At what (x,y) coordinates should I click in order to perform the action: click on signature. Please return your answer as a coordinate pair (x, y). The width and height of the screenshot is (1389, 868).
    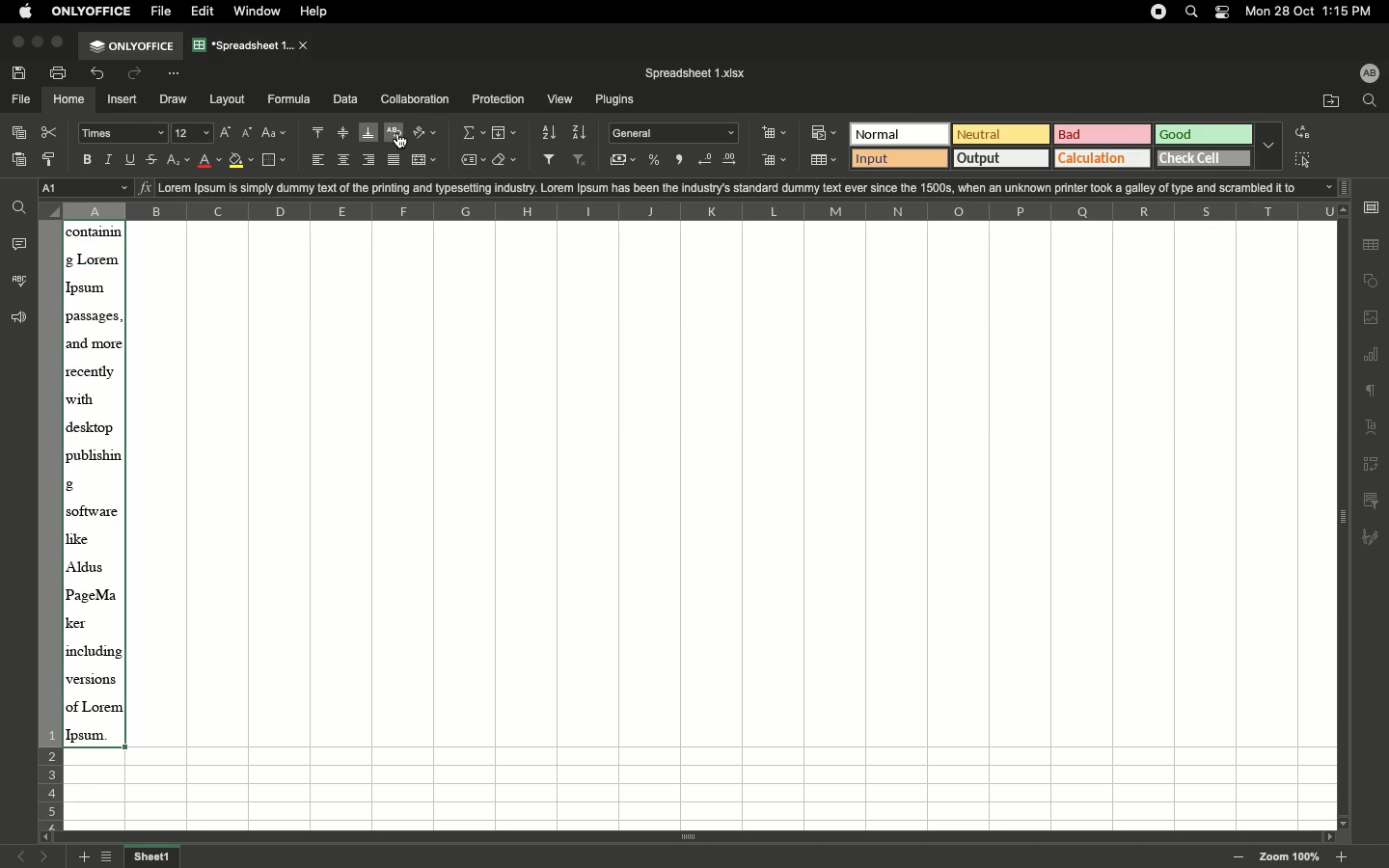
    Looking at the image, I should click on (1375, 534).